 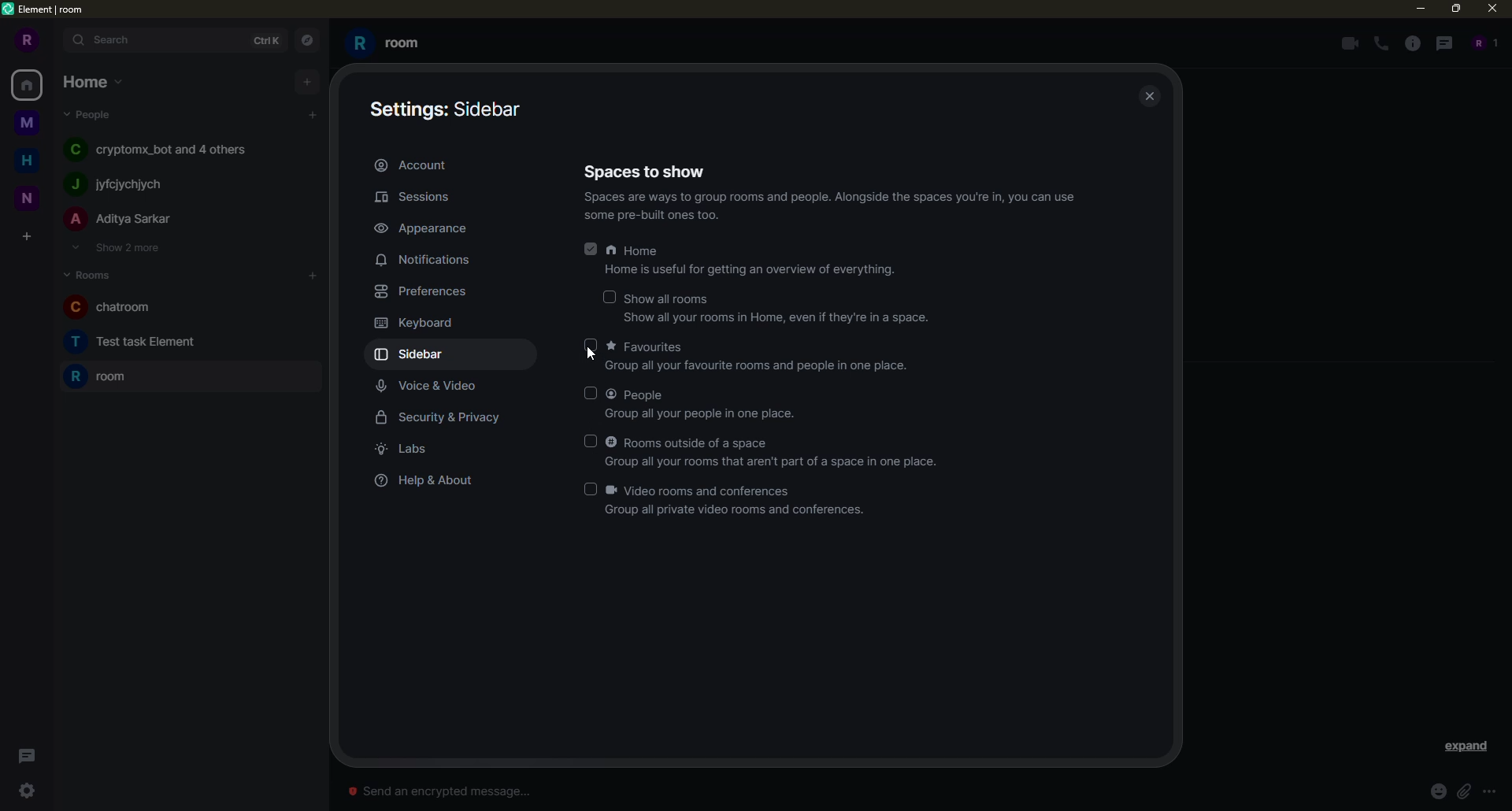 What do you see at coordinates (1489, 792) in the screenshot?
I see `more` at bounding box center [1489, 792].